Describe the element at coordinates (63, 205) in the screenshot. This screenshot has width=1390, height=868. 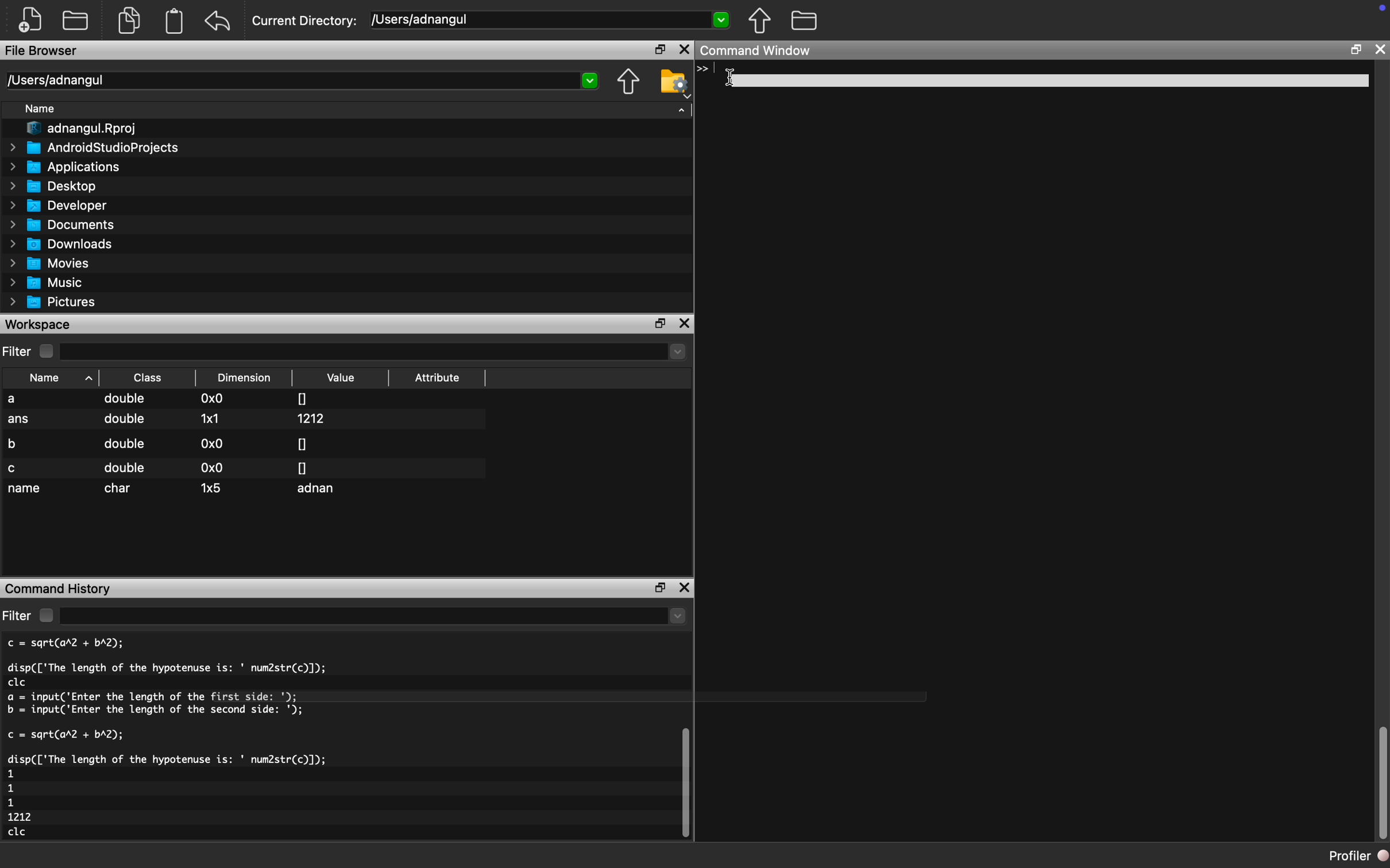
I see `Developer` at that location.